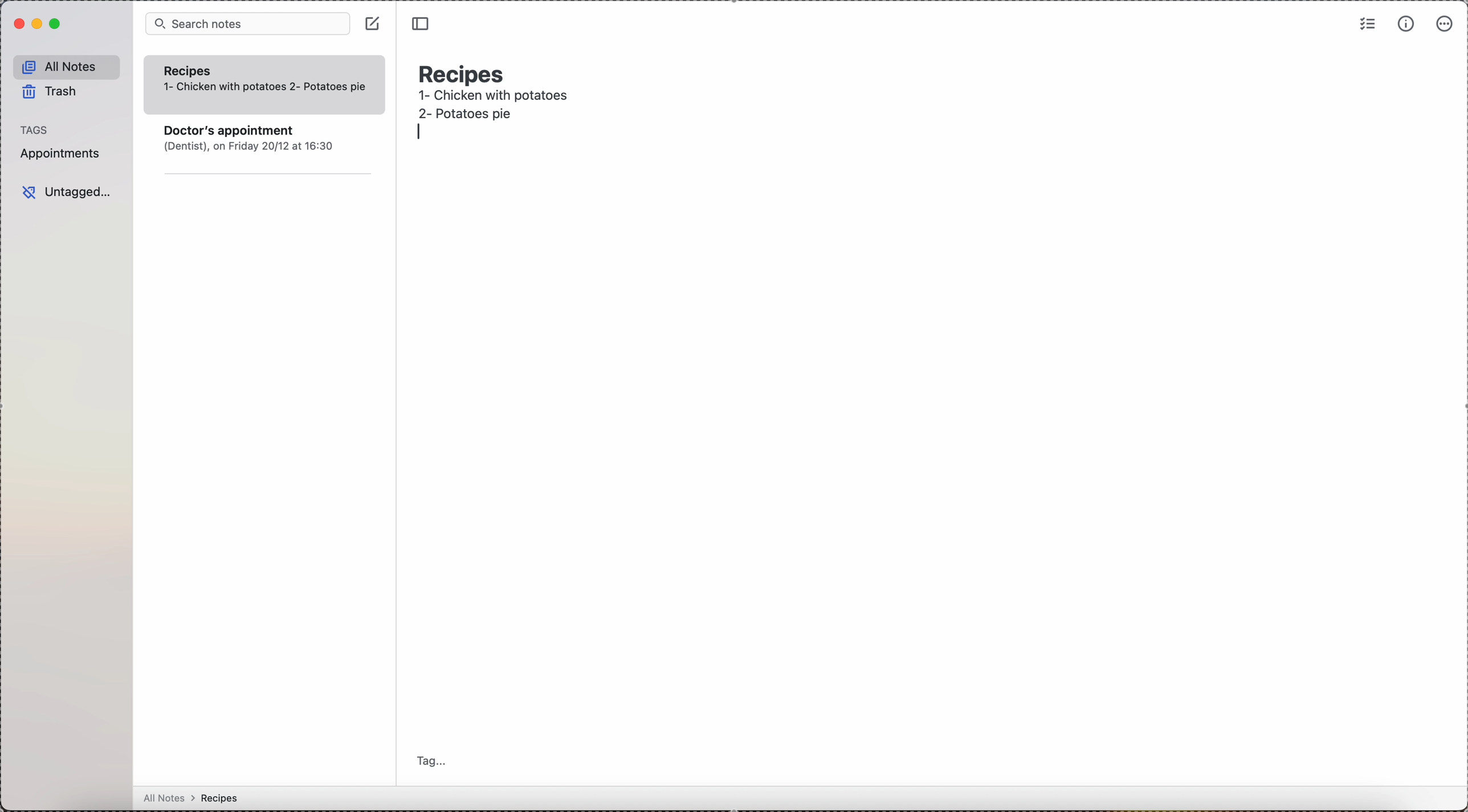  I want to click on search bar, so click(247, 24).